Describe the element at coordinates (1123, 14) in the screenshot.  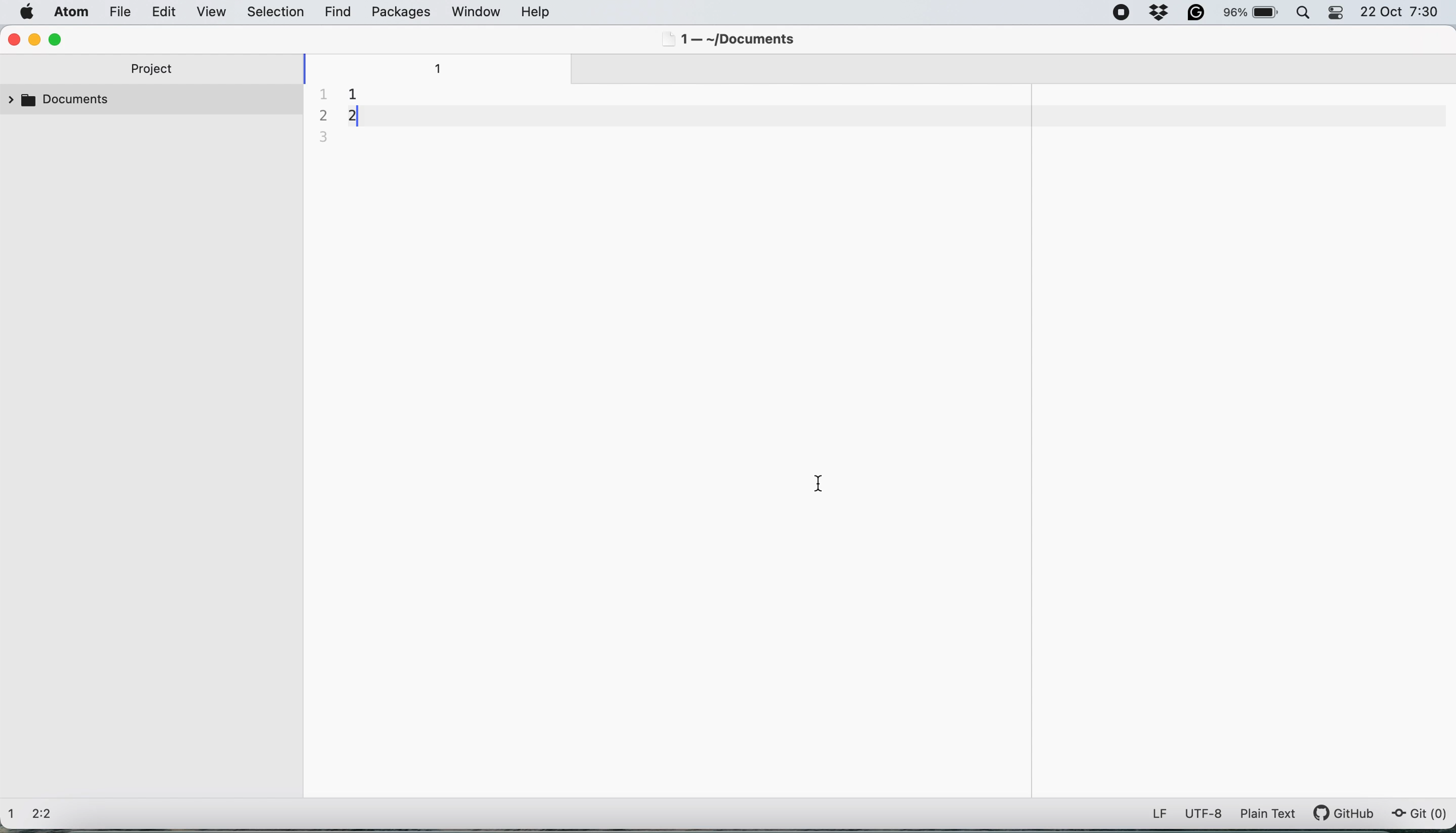
I see `screen recorder` at that location.